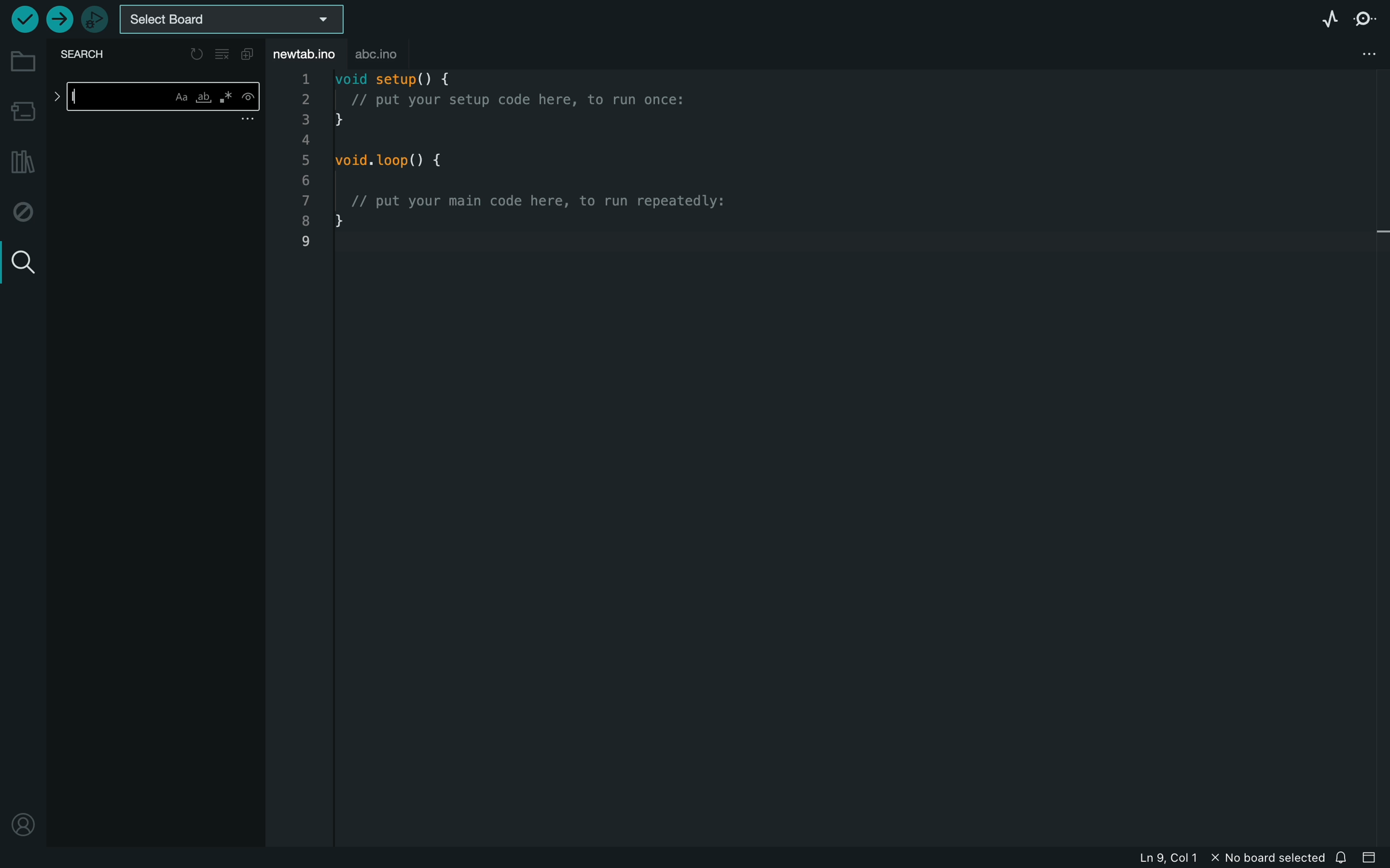 The image size is (1390, 868). I want to click on copy, so click(250, 55).